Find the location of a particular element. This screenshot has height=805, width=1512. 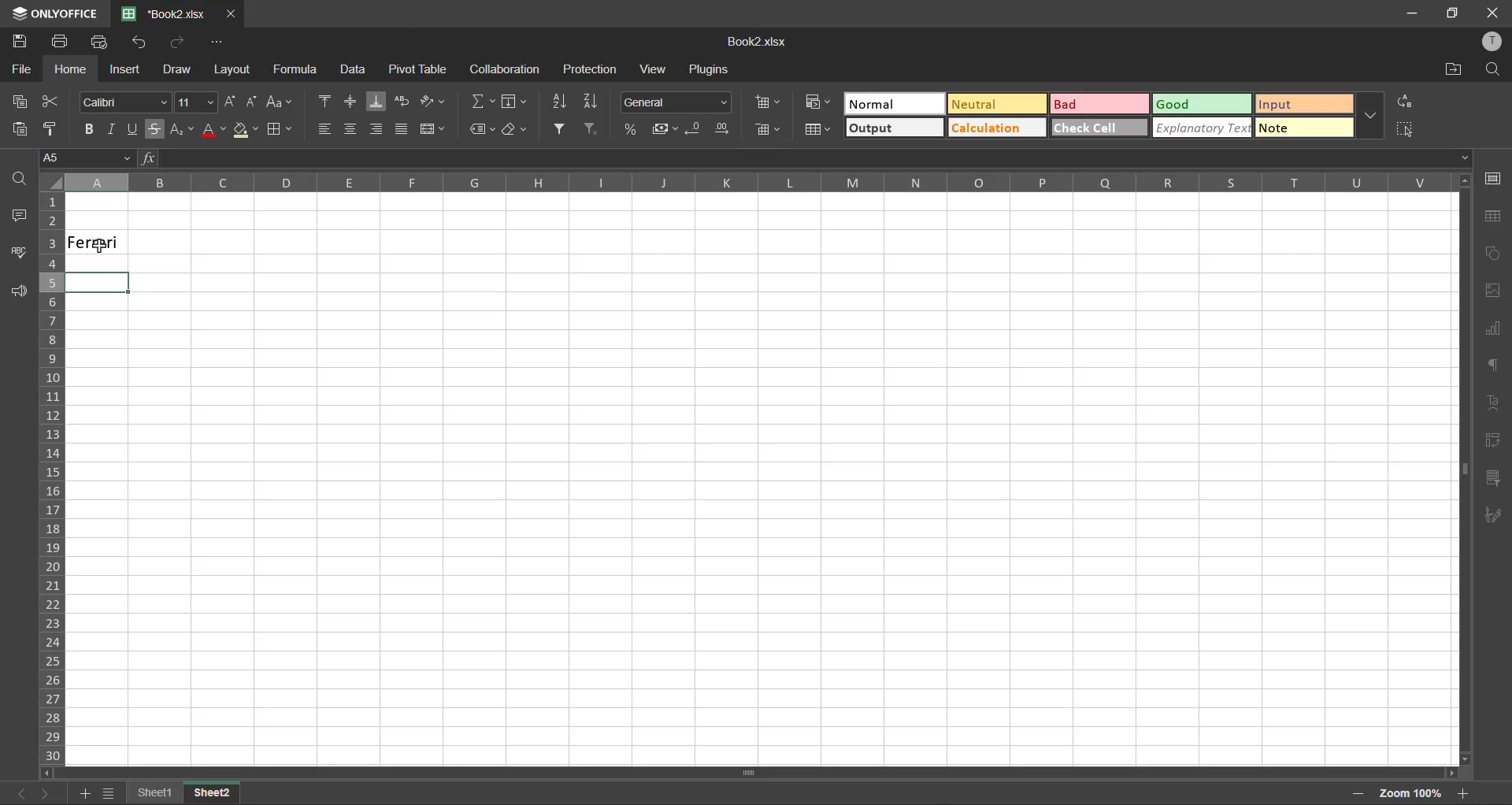

clear filter is located at coordinates (595, 131).